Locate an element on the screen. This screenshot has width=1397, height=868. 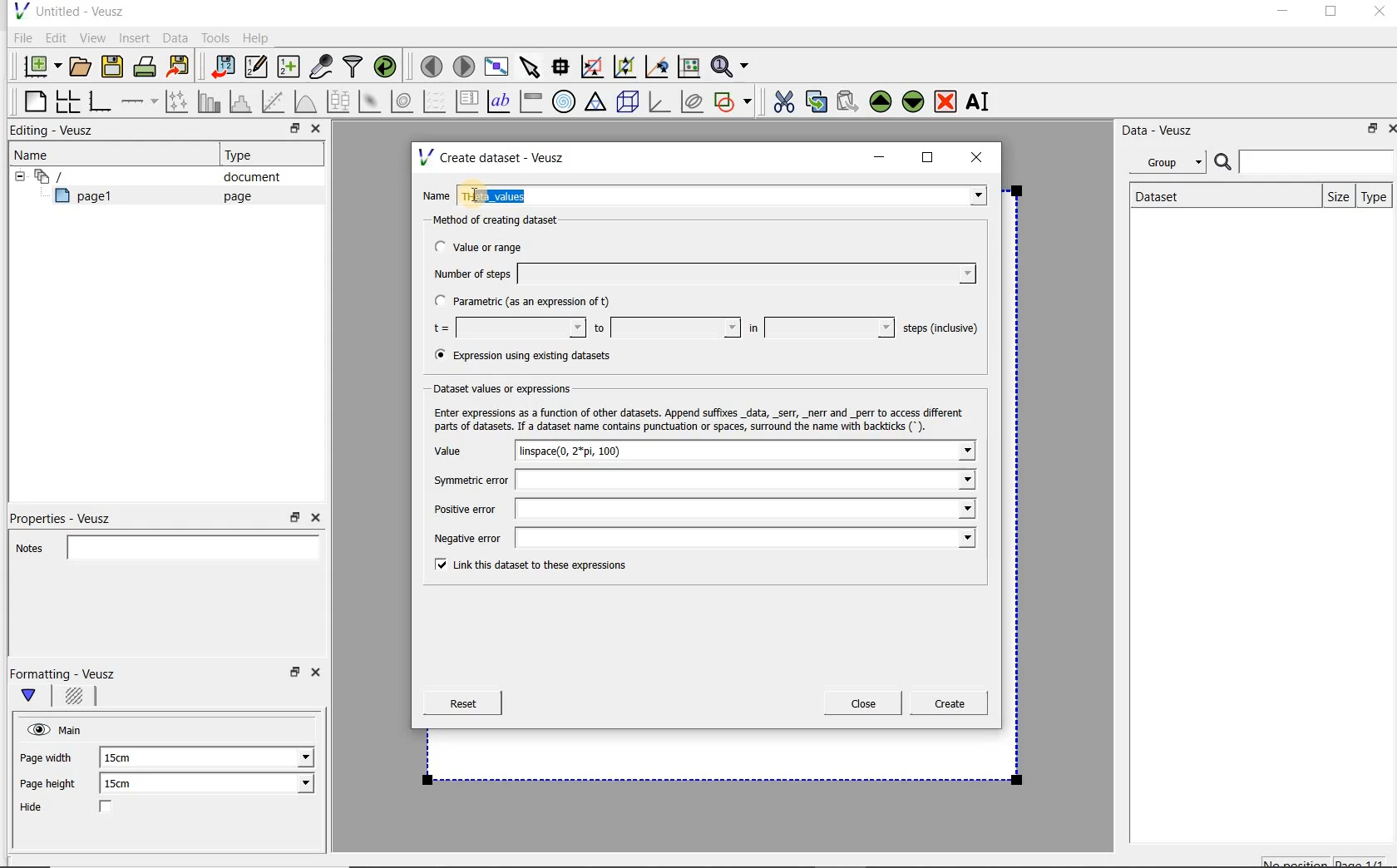
arrange graphs in a grid is located at coordinates (67, 101).